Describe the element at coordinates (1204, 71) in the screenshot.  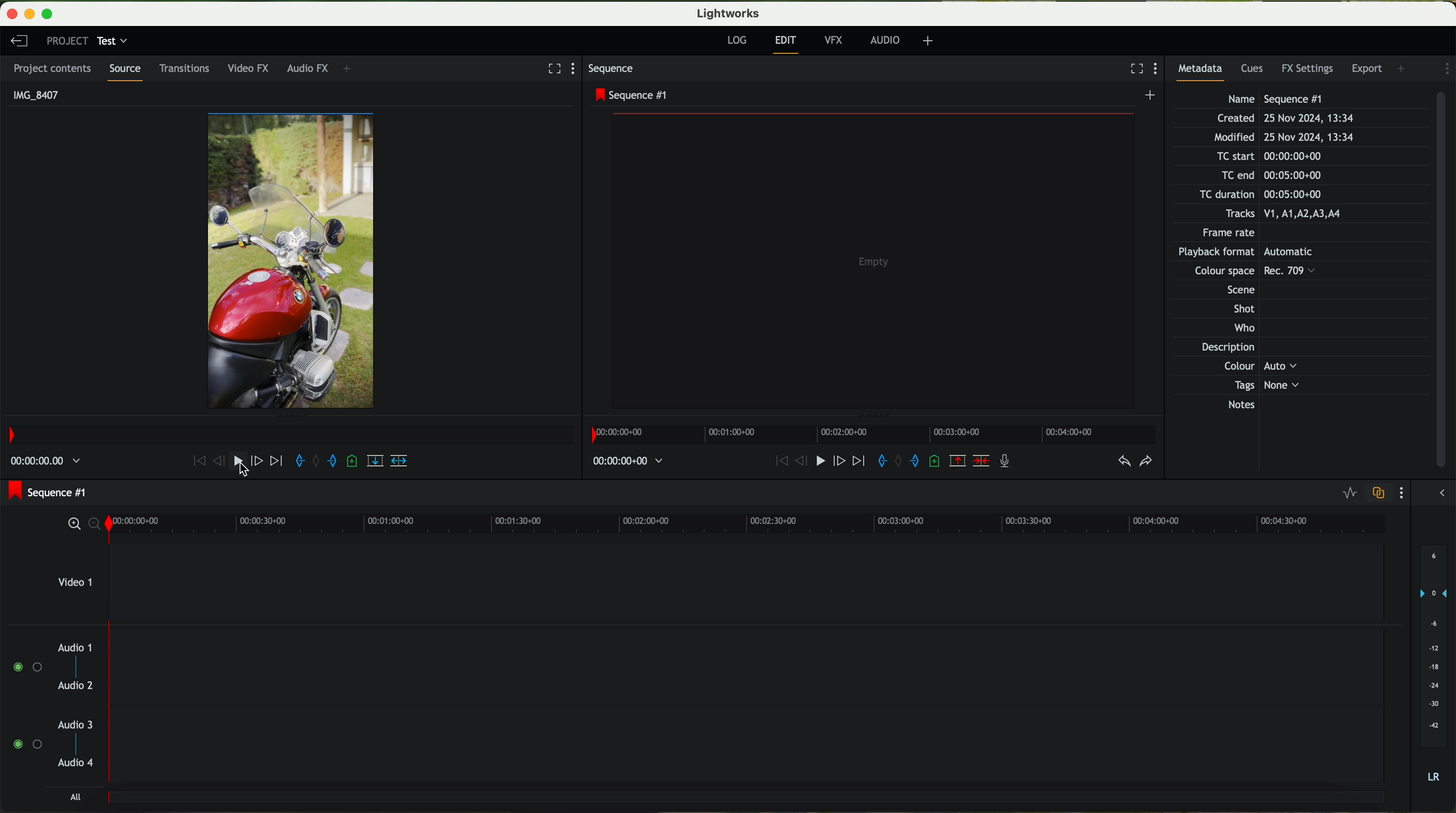
I see `metadata` at that location.